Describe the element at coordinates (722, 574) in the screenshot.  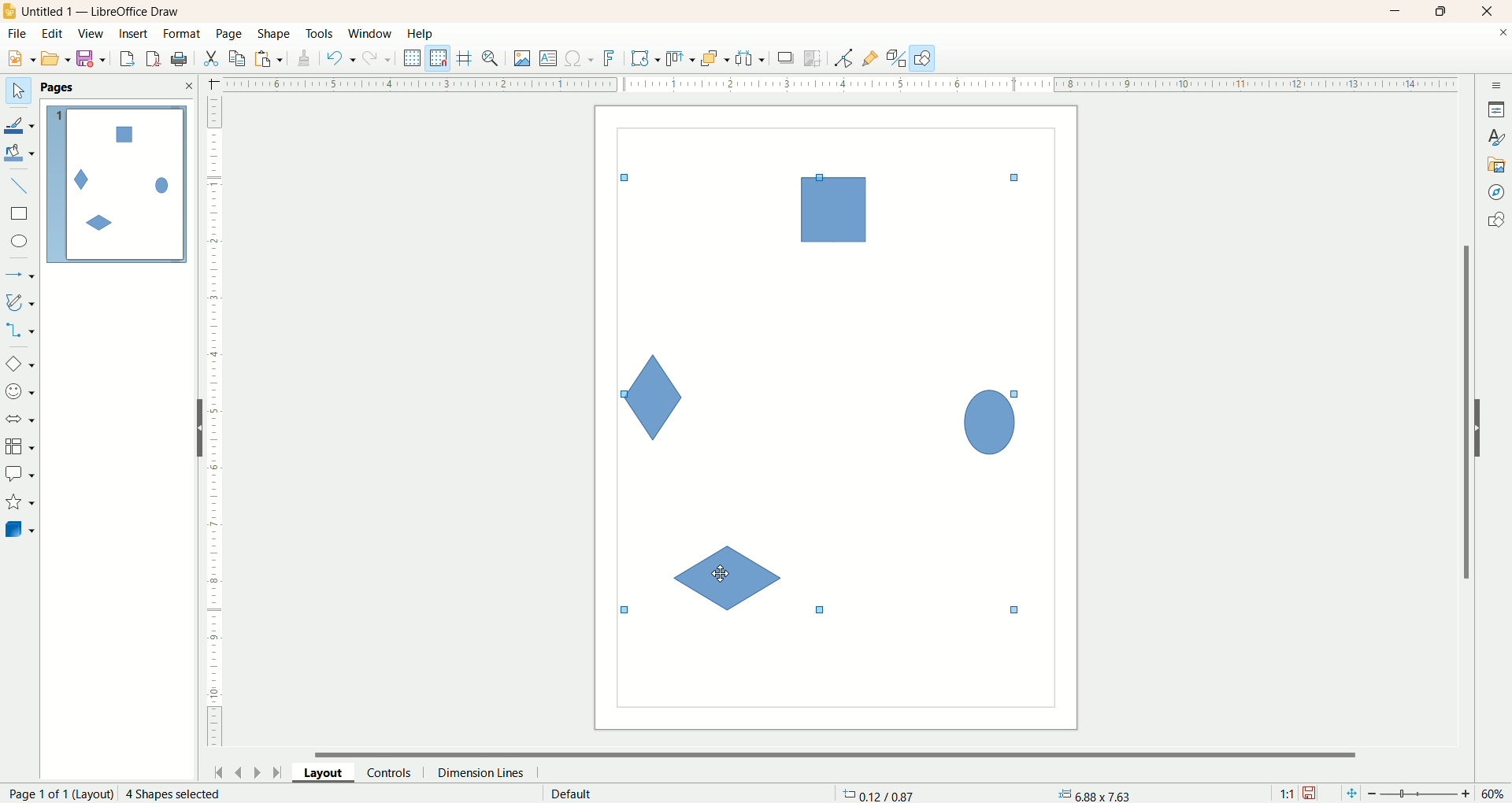
I see `cursor` at that location.